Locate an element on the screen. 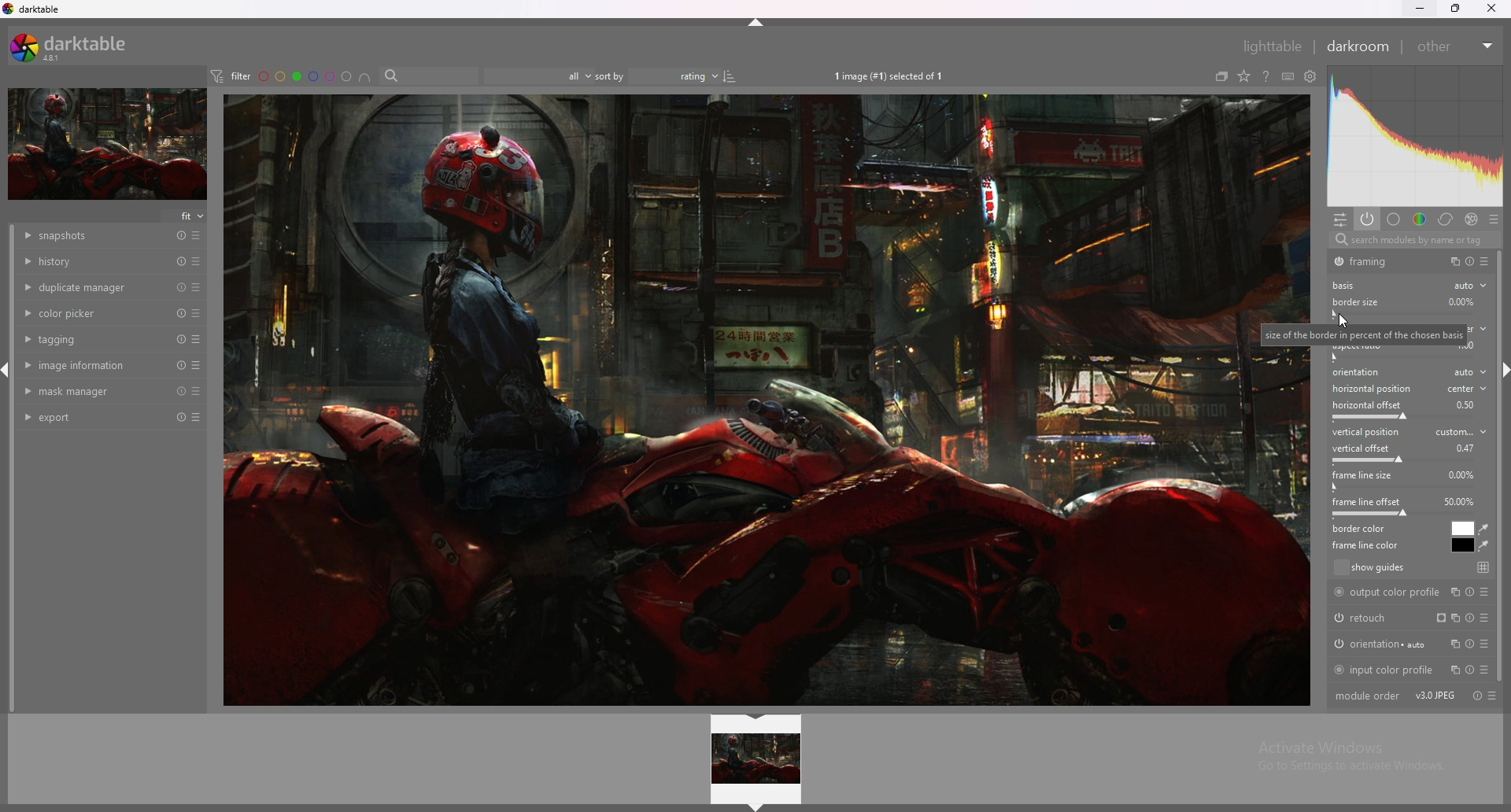 The width and height of the screenshot is (1511, 812). quic access panel is located at coordinates (1340, 220).